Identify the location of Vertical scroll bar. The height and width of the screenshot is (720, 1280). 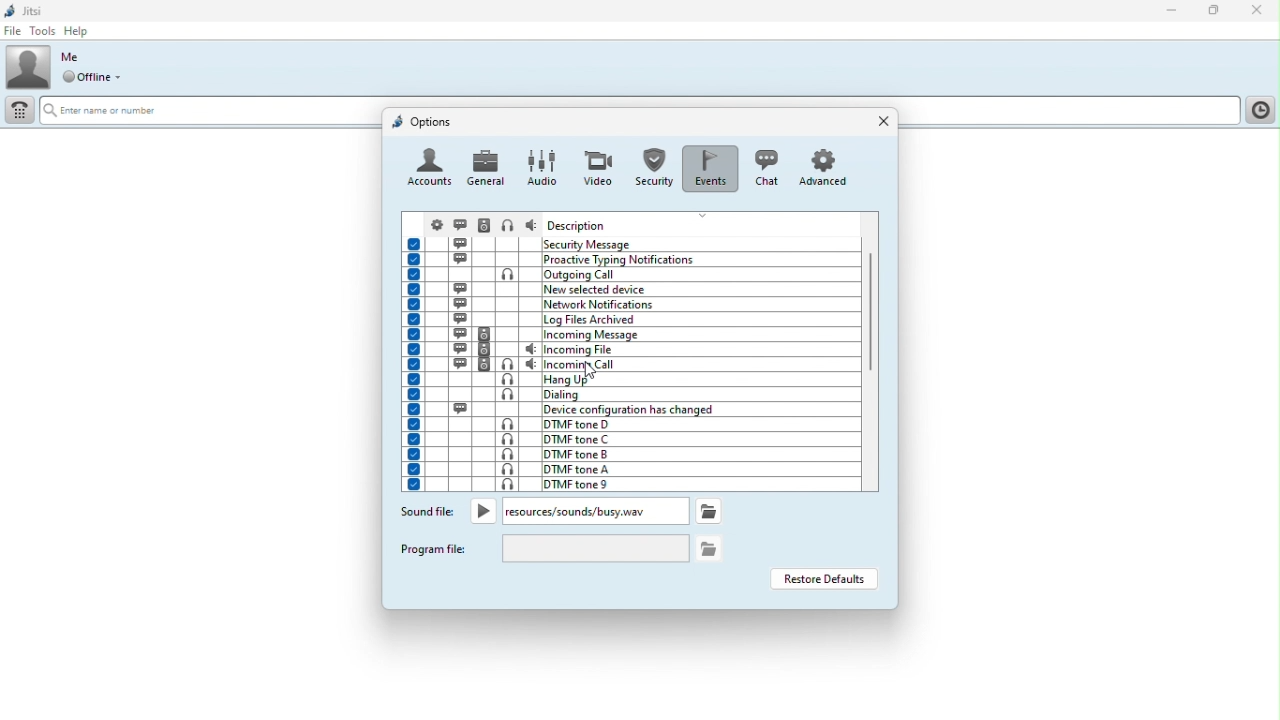
(873, 336).